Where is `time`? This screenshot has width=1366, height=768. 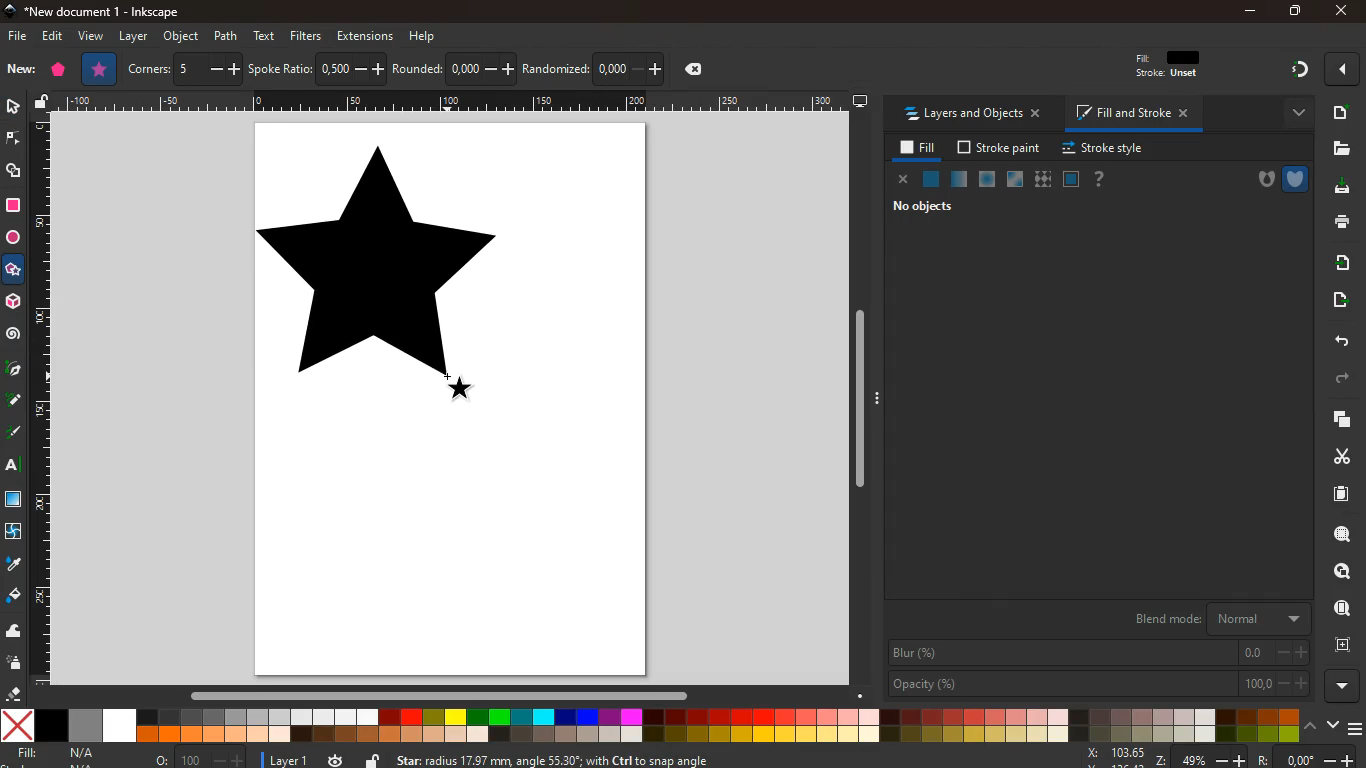
time is located at coordinates (336, 759).